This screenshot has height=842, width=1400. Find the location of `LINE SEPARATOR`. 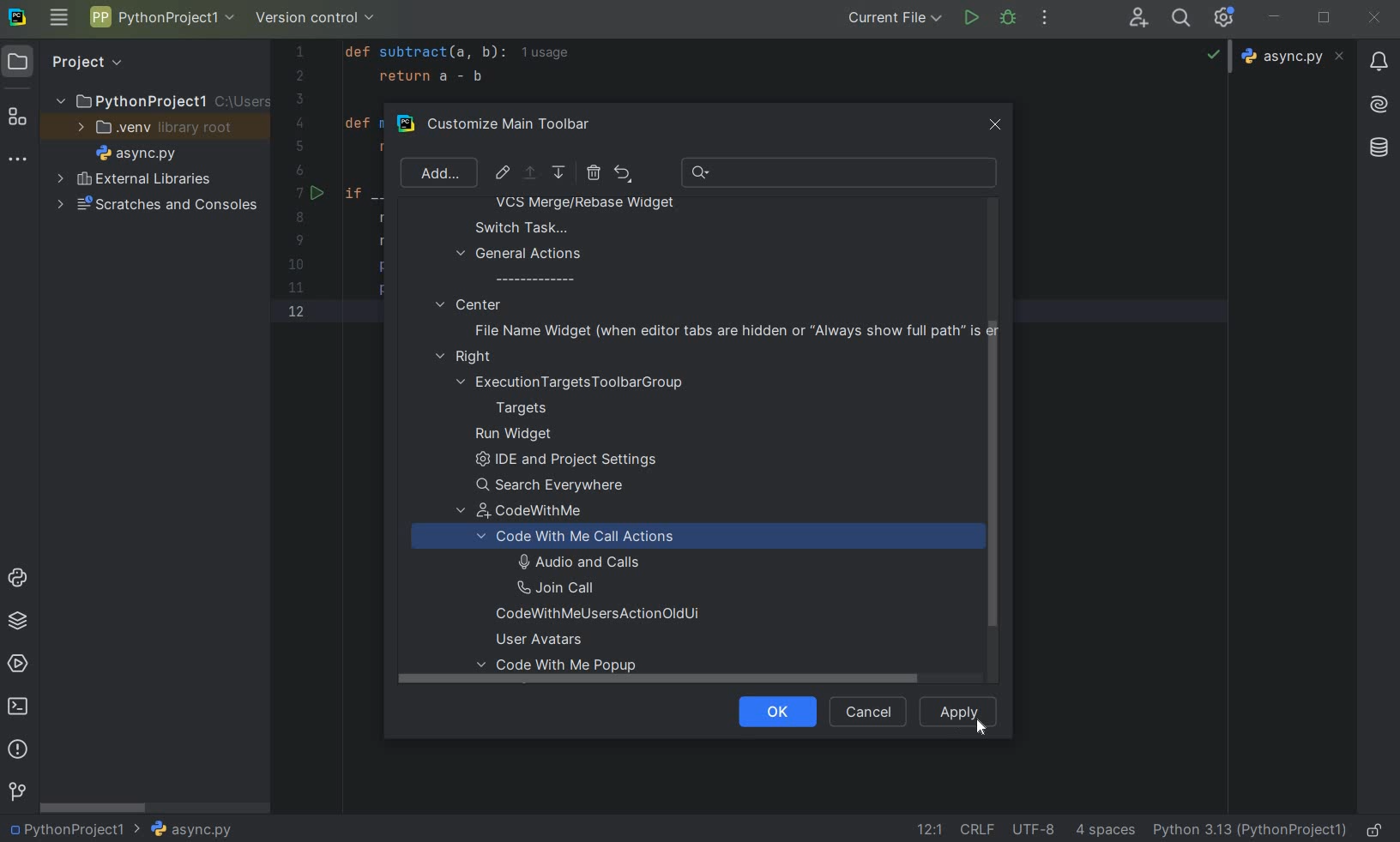

LINE SEPARATOR is located at coordinates (979, 828).